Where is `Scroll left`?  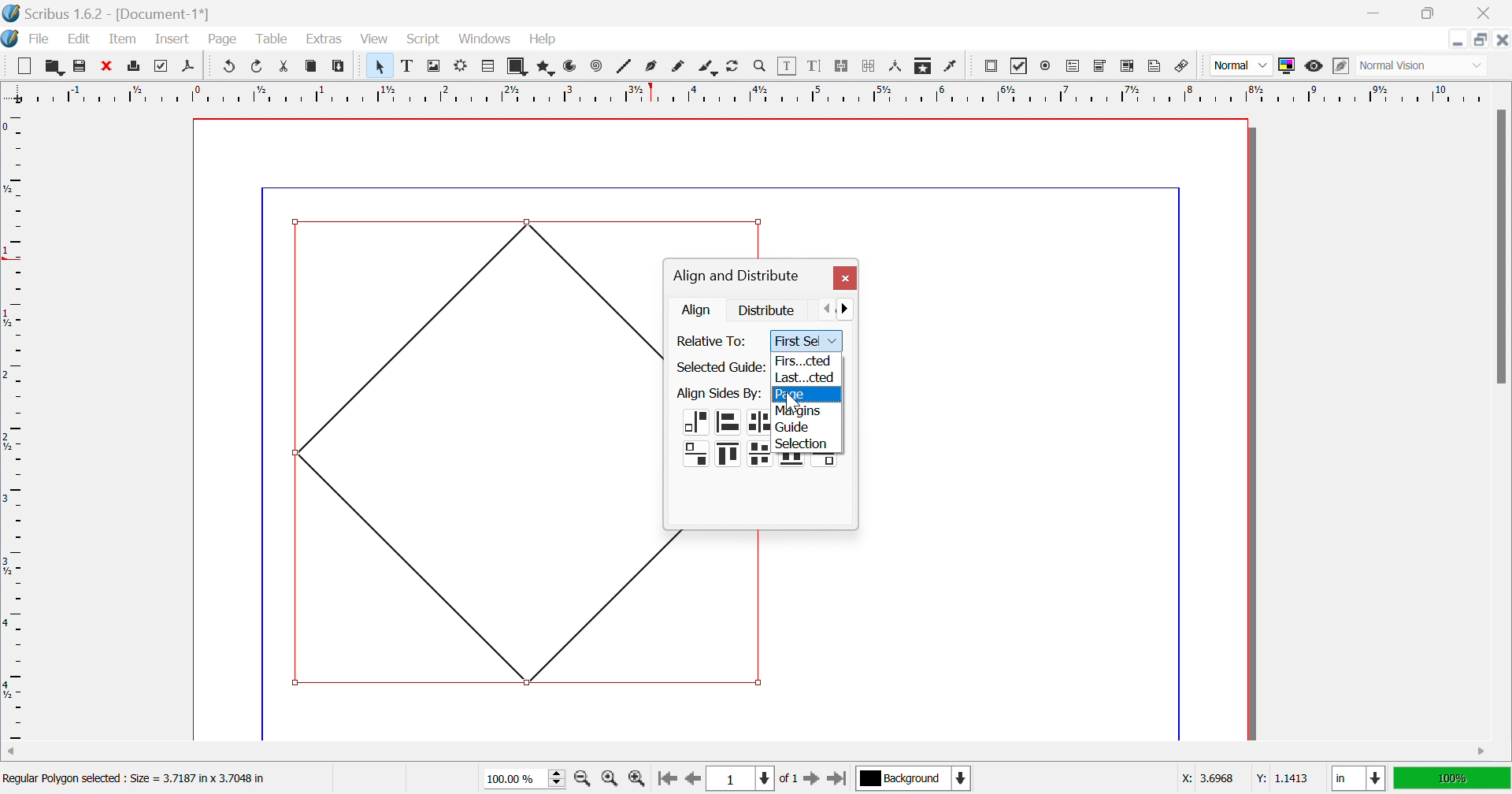
Scroll left is located at coordinates (13, 752).